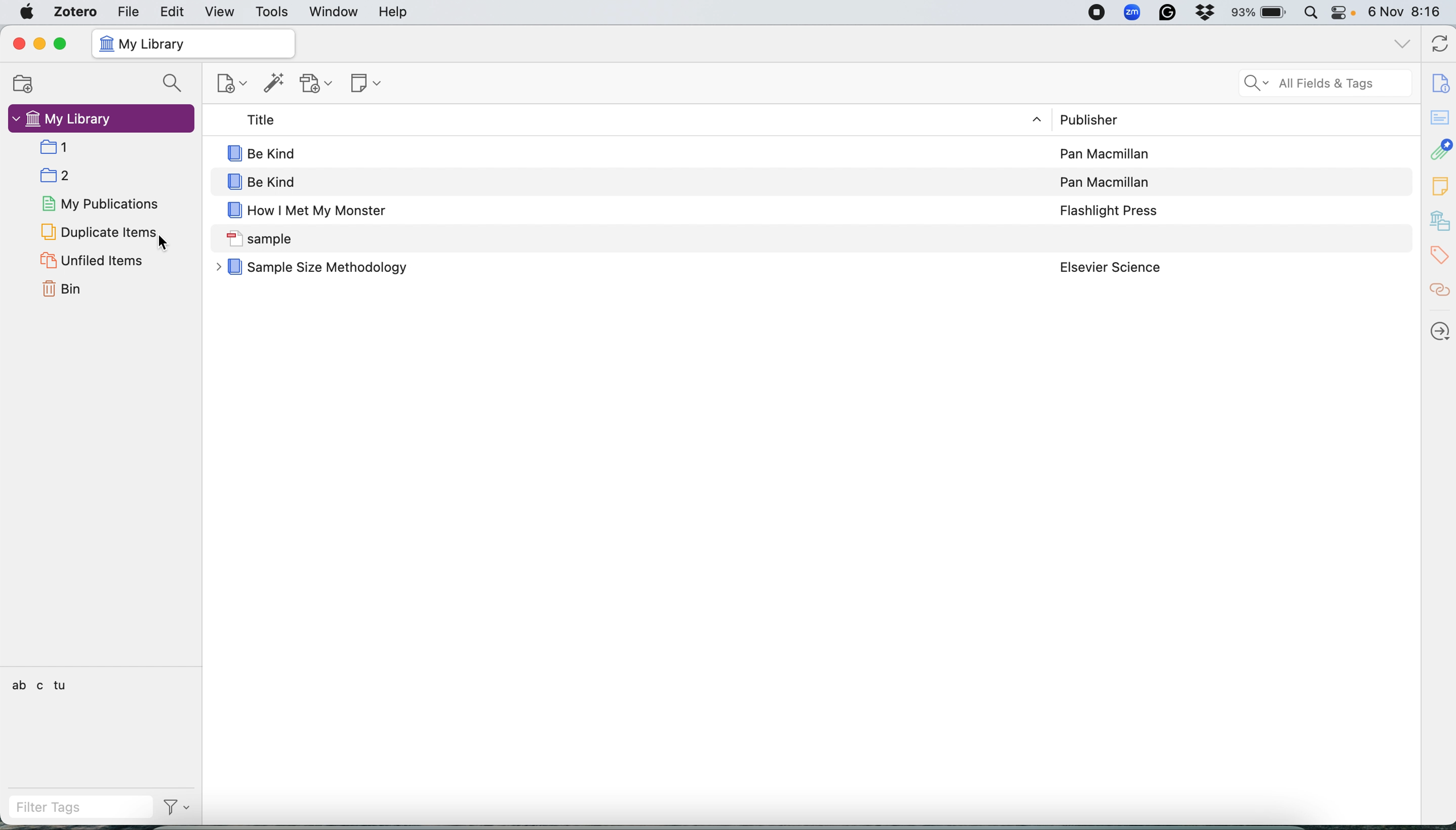 The image size is (1456, 830). What do you see at coordinates (611, 270) in the screenshot?
I see `Sample Size Methodology` at bounding box center [611, 270].